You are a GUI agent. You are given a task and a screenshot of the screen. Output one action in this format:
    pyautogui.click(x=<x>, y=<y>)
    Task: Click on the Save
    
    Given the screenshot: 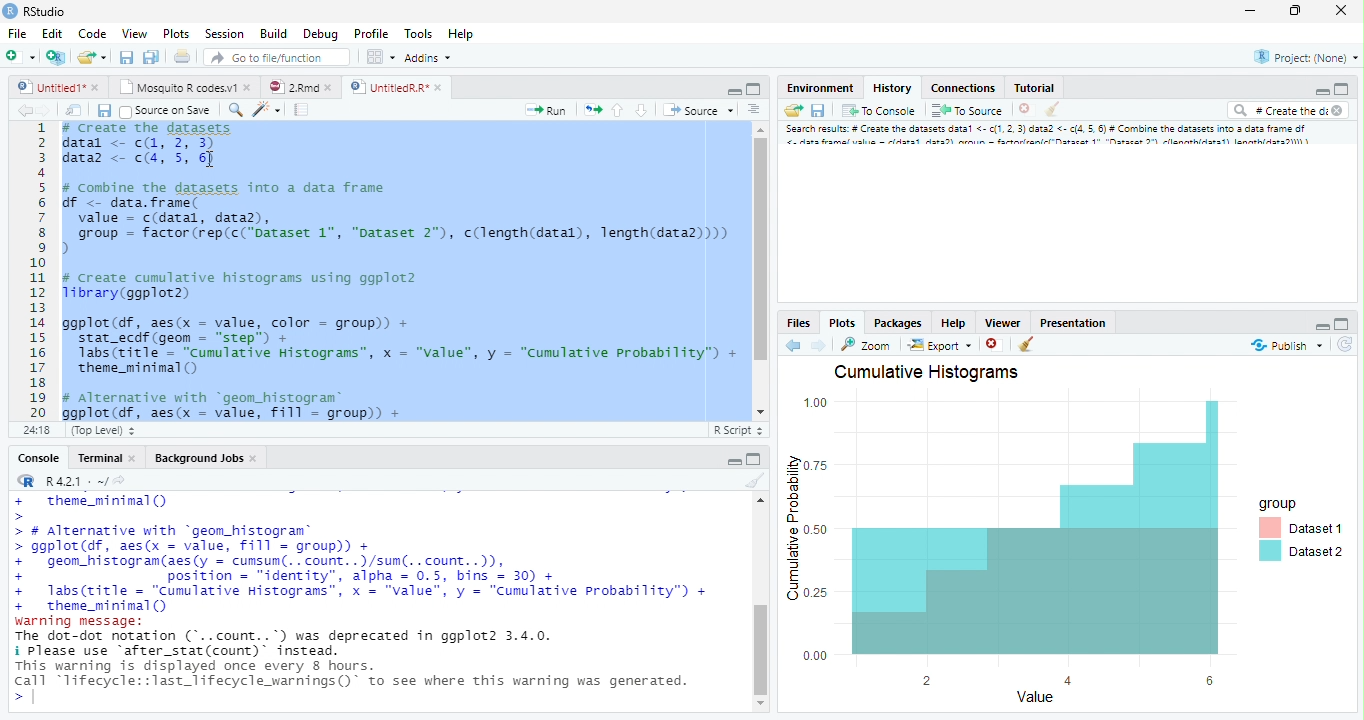 What is the action you would take?
    pyautogui.click(x=126, y=57)
    